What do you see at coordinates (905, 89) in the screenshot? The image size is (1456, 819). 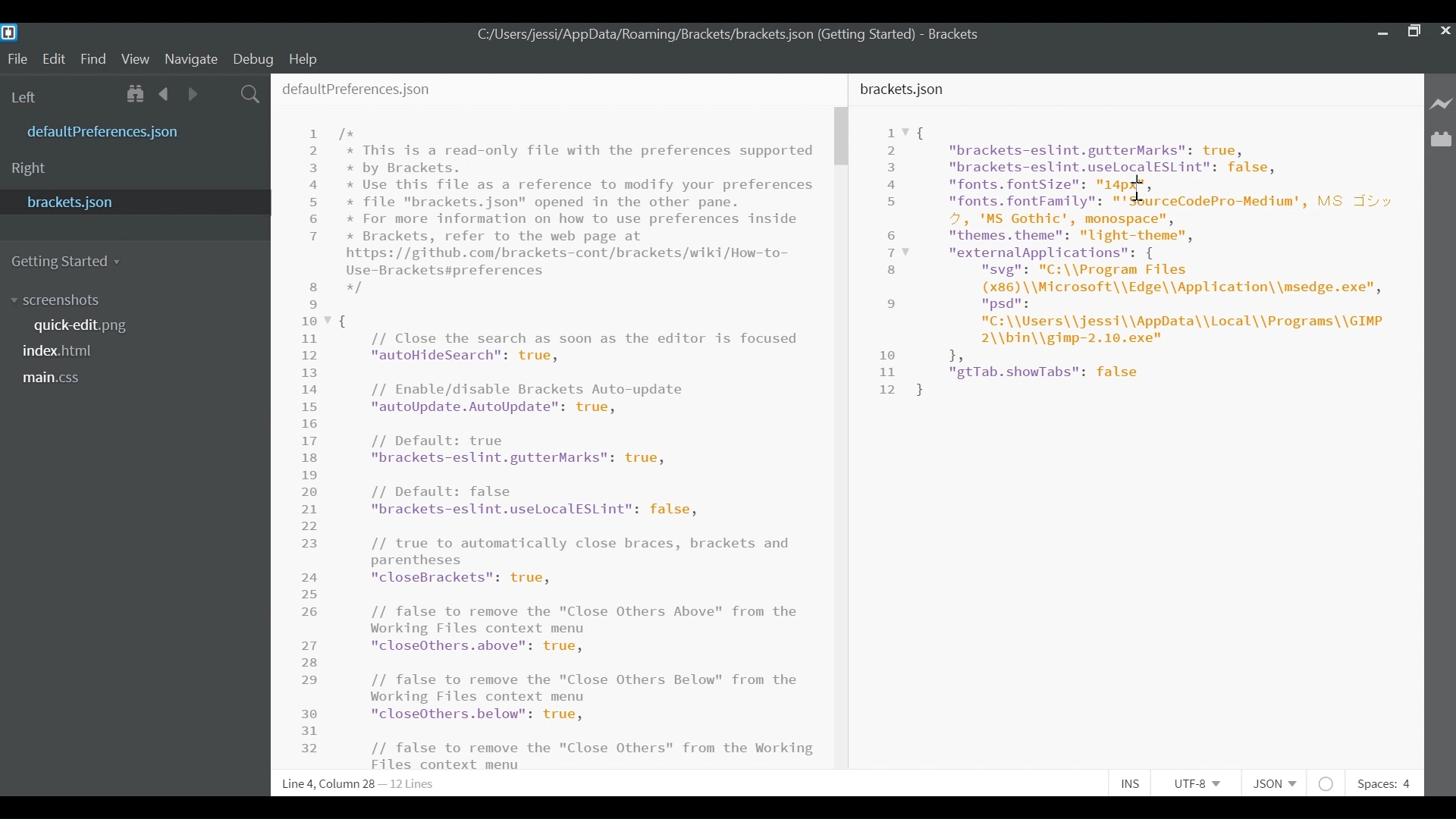 I see `bracket.json` at bounding box center [905, 89].